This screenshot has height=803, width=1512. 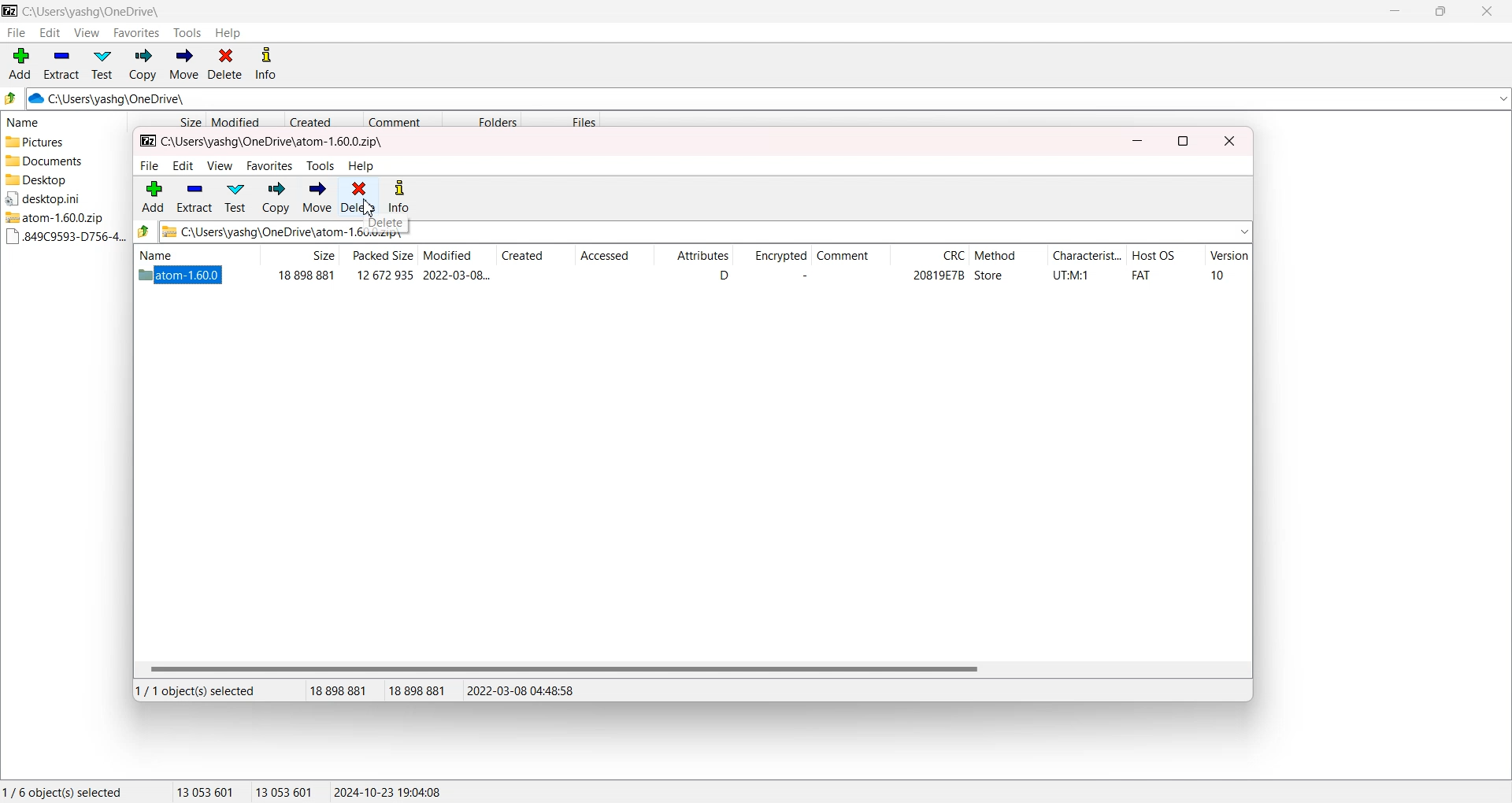 I want to click on Favorites, so click(x=137, y=32).